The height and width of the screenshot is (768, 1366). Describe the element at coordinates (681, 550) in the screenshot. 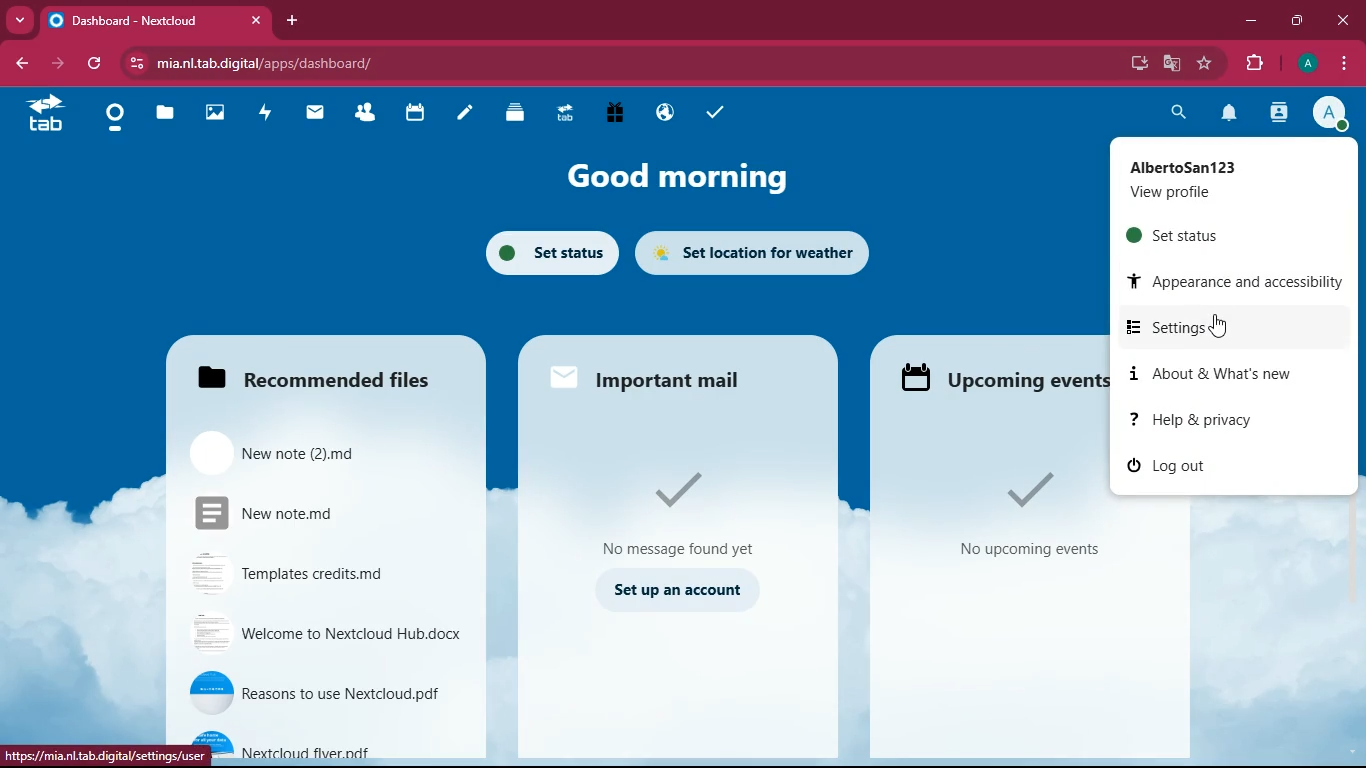

I see `No message found yet` at that location.